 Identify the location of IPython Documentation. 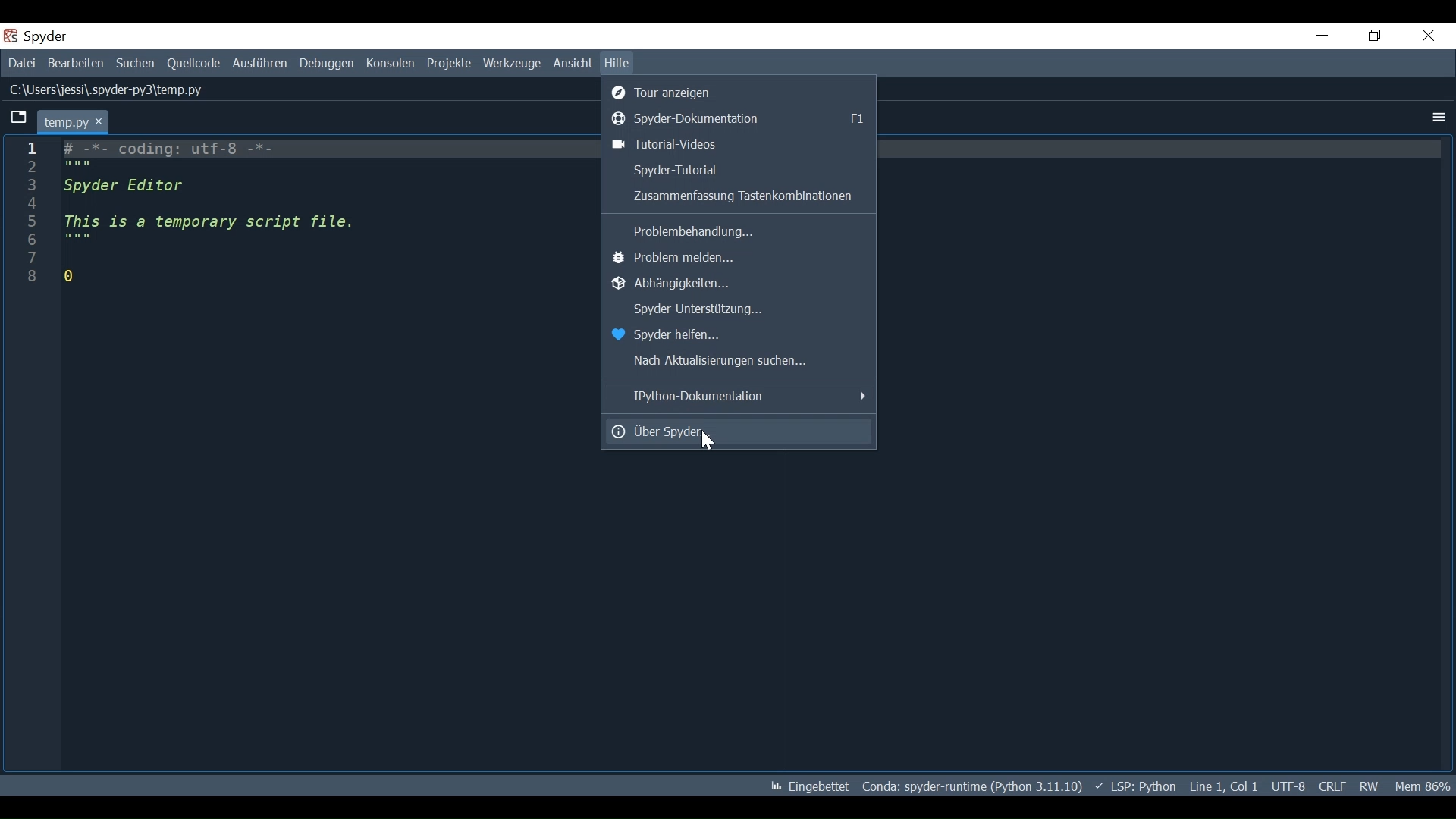
(740, 397).